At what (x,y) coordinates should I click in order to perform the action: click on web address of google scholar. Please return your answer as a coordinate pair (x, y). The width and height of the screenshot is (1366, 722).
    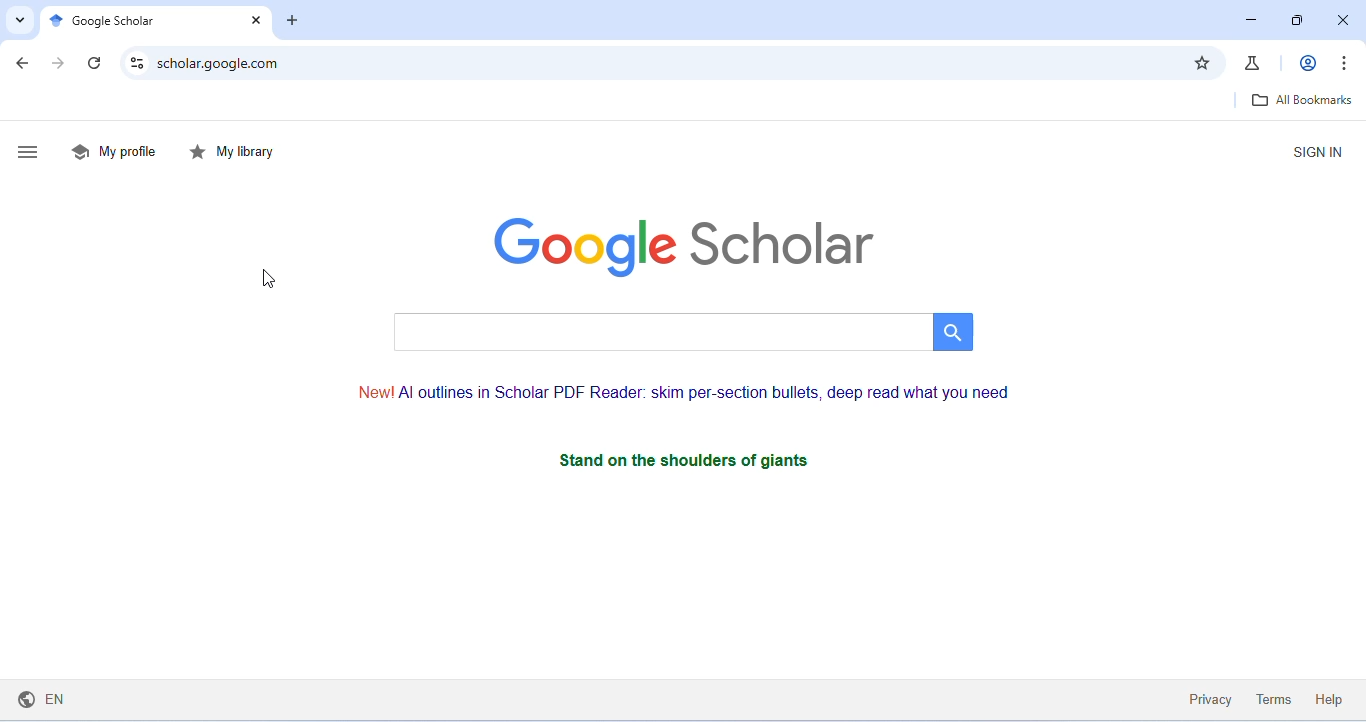
    Looking at the image, I should click on (666, 60).